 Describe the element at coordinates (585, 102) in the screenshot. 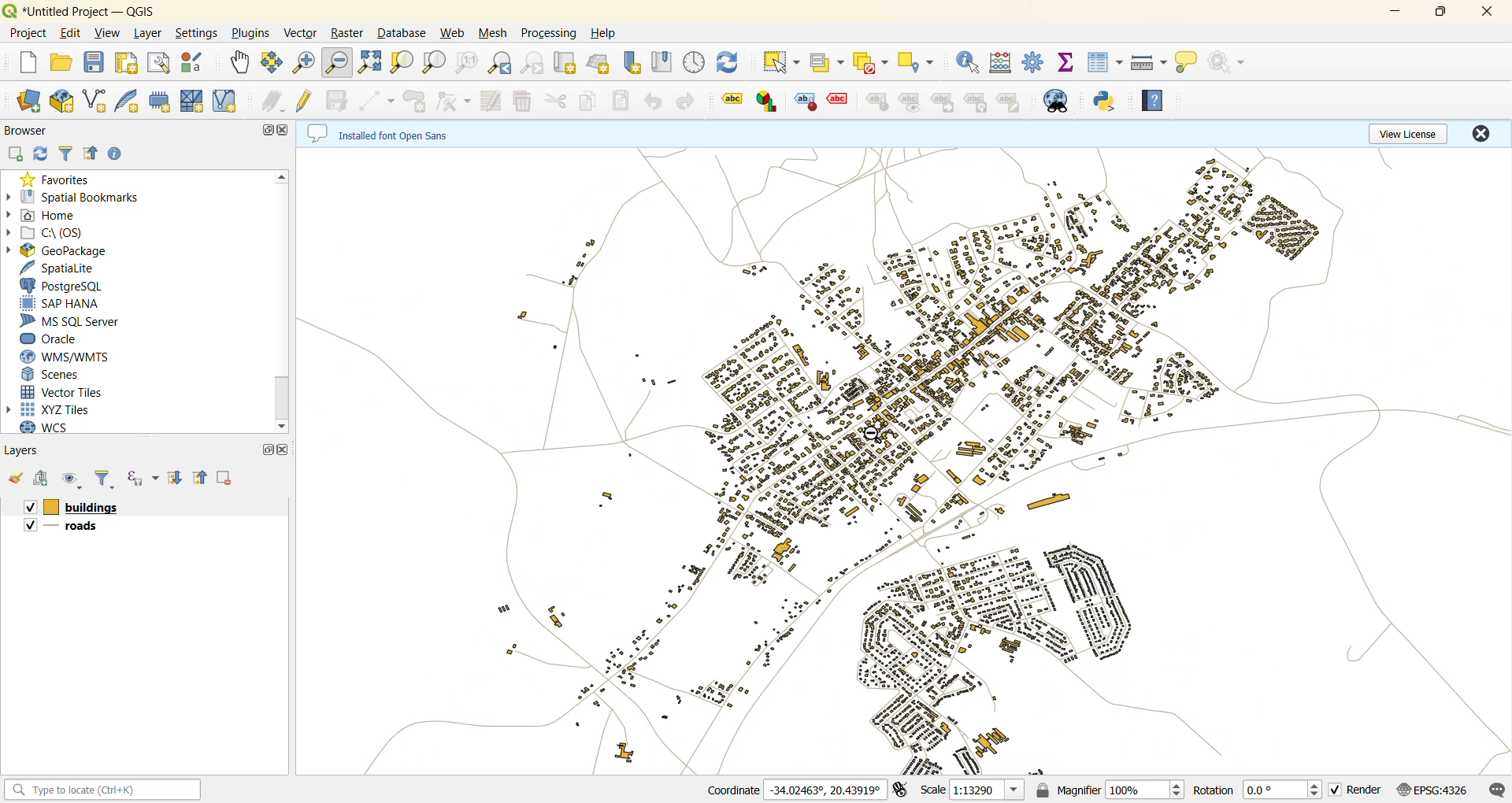

I see `copy` at that location.